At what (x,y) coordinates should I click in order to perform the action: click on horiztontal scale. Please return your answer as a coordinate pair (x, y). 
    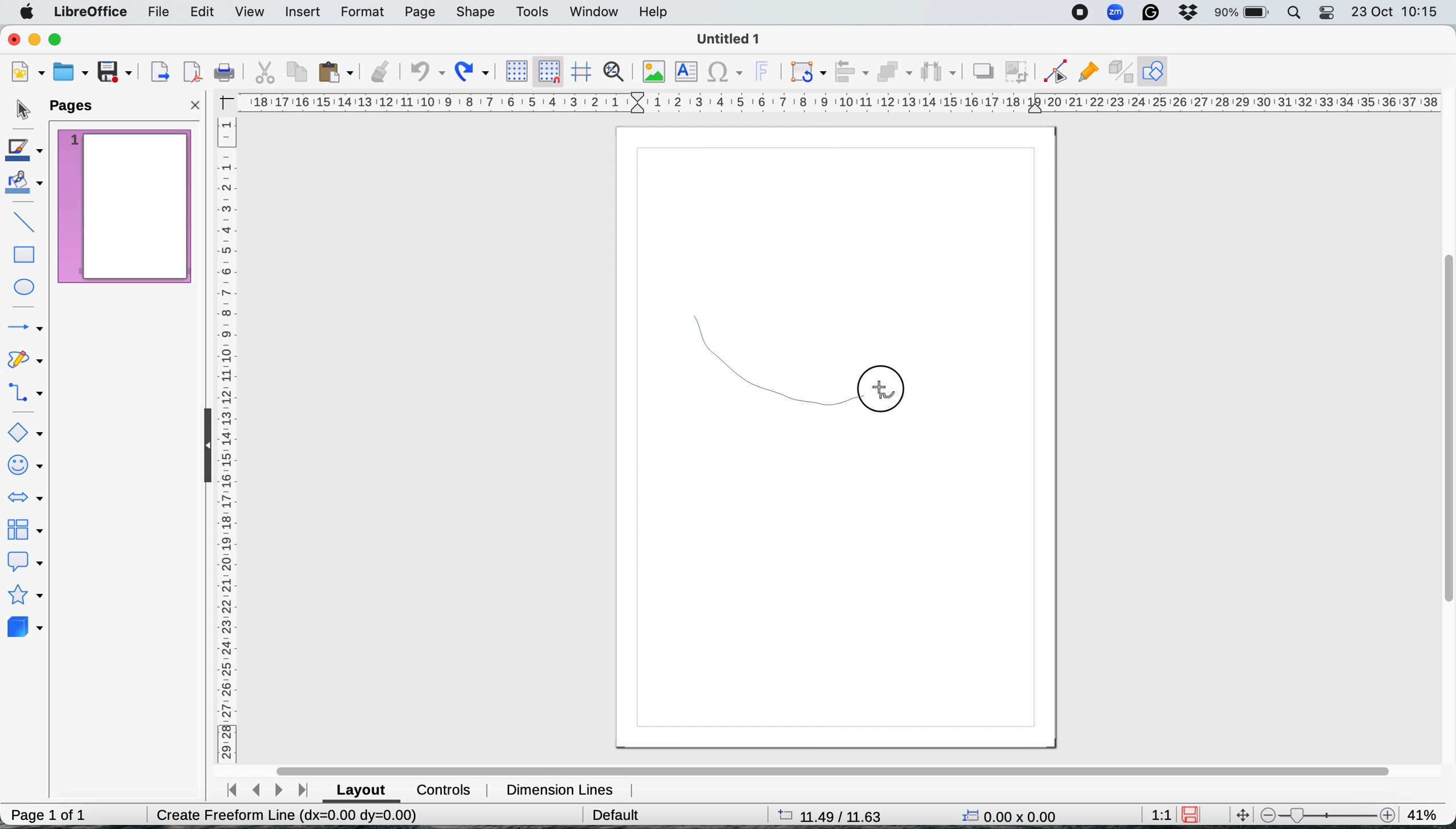
    Looking at the image, I should click on (839, 102).